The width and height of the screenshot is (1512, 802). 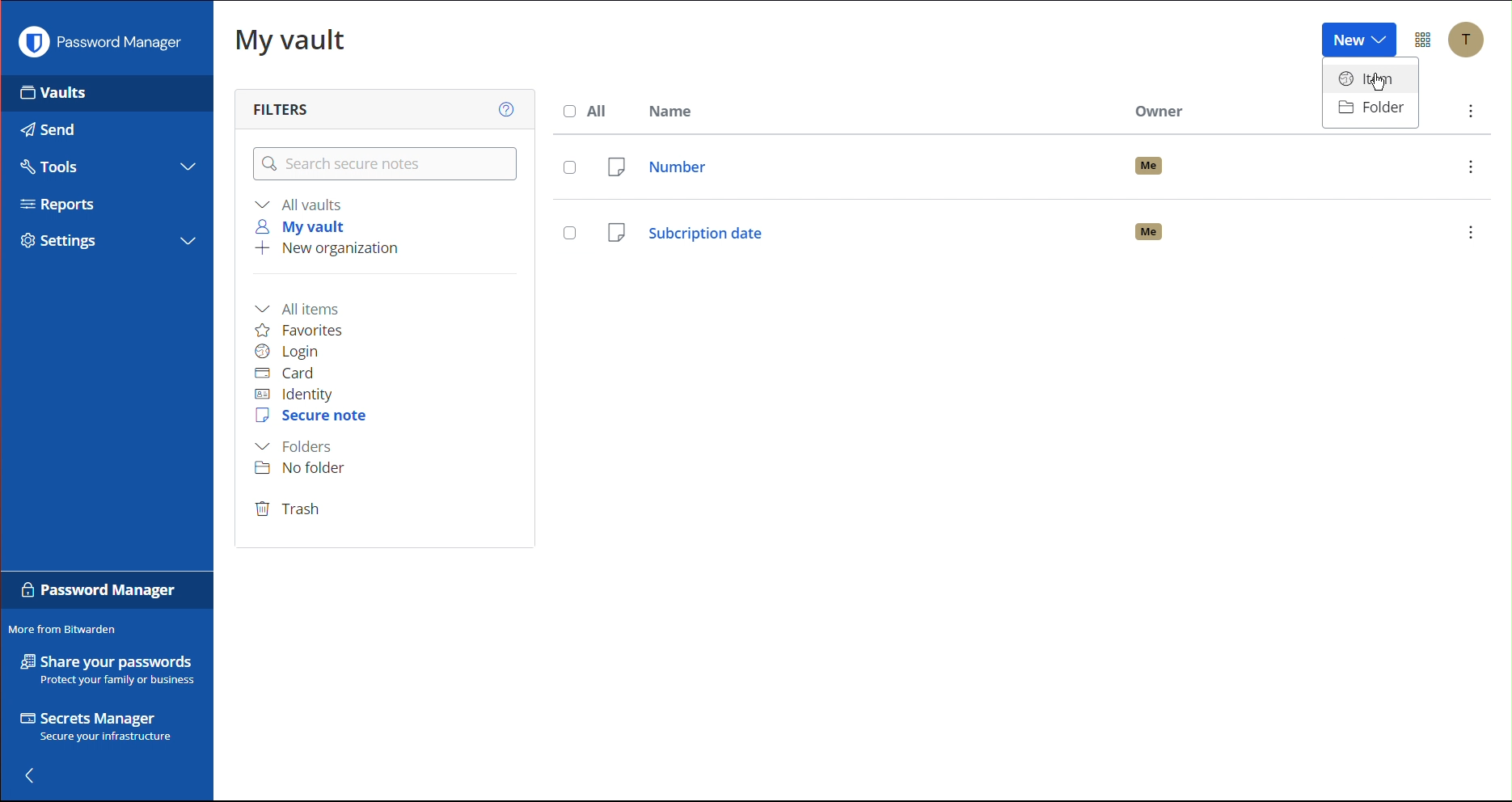 I want to click on Folder, so click(x=1369, y=111).